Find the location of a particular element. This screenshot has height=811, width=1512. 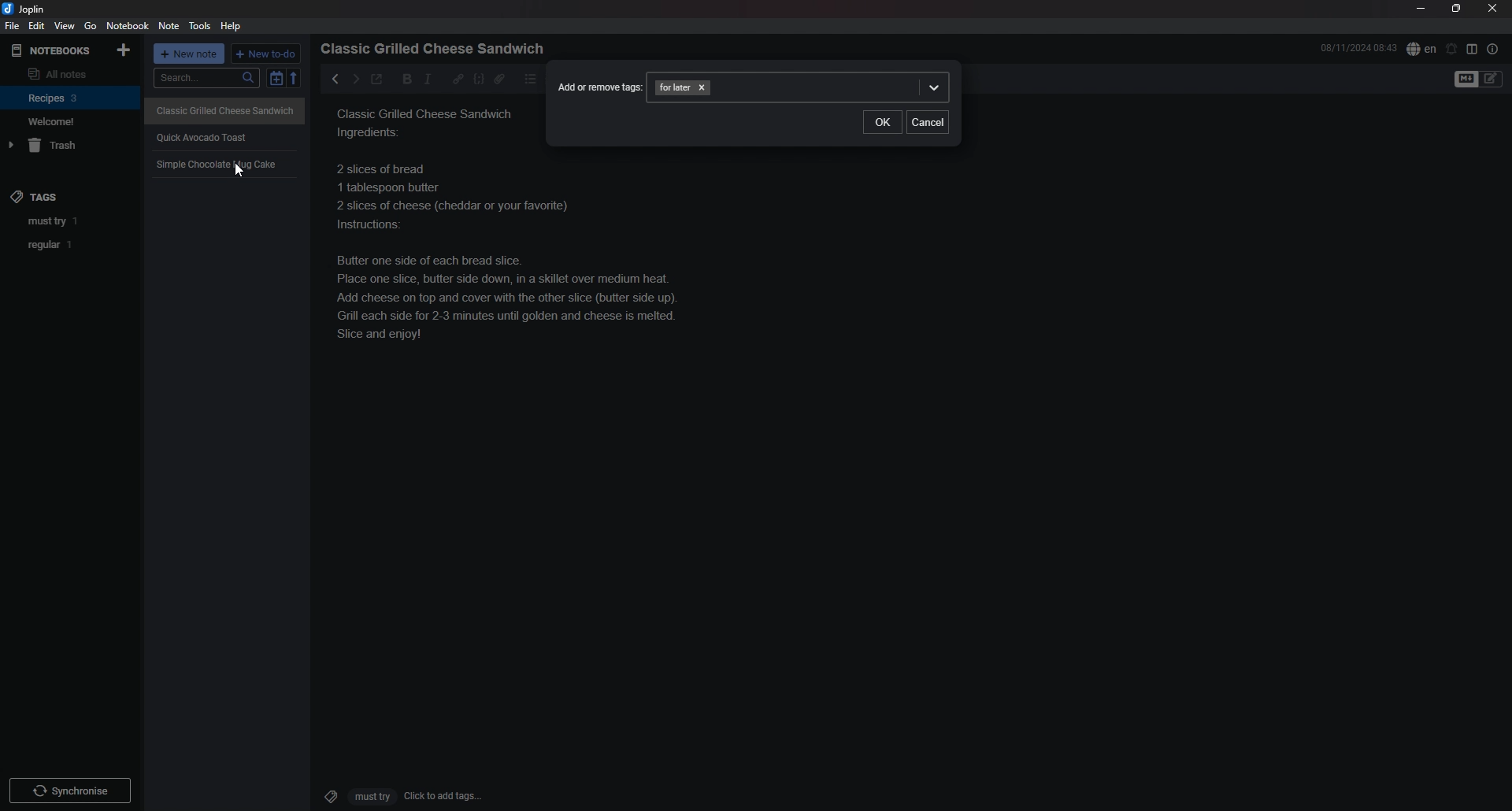

Simple Chocolate mug Cake is located at coordinates (218, 165).